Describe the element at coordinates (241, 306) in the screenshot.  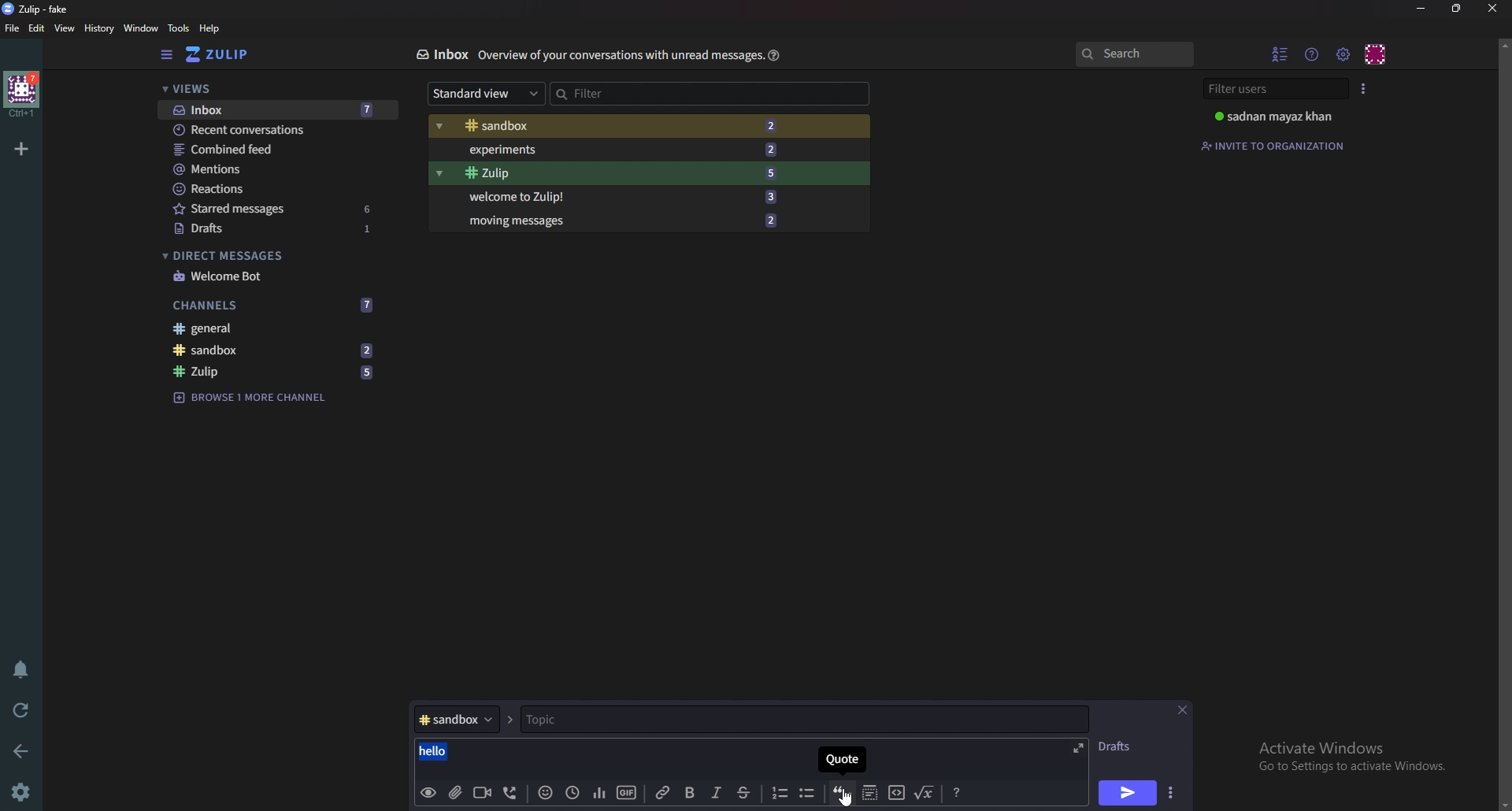
I see `Channels` at that location.